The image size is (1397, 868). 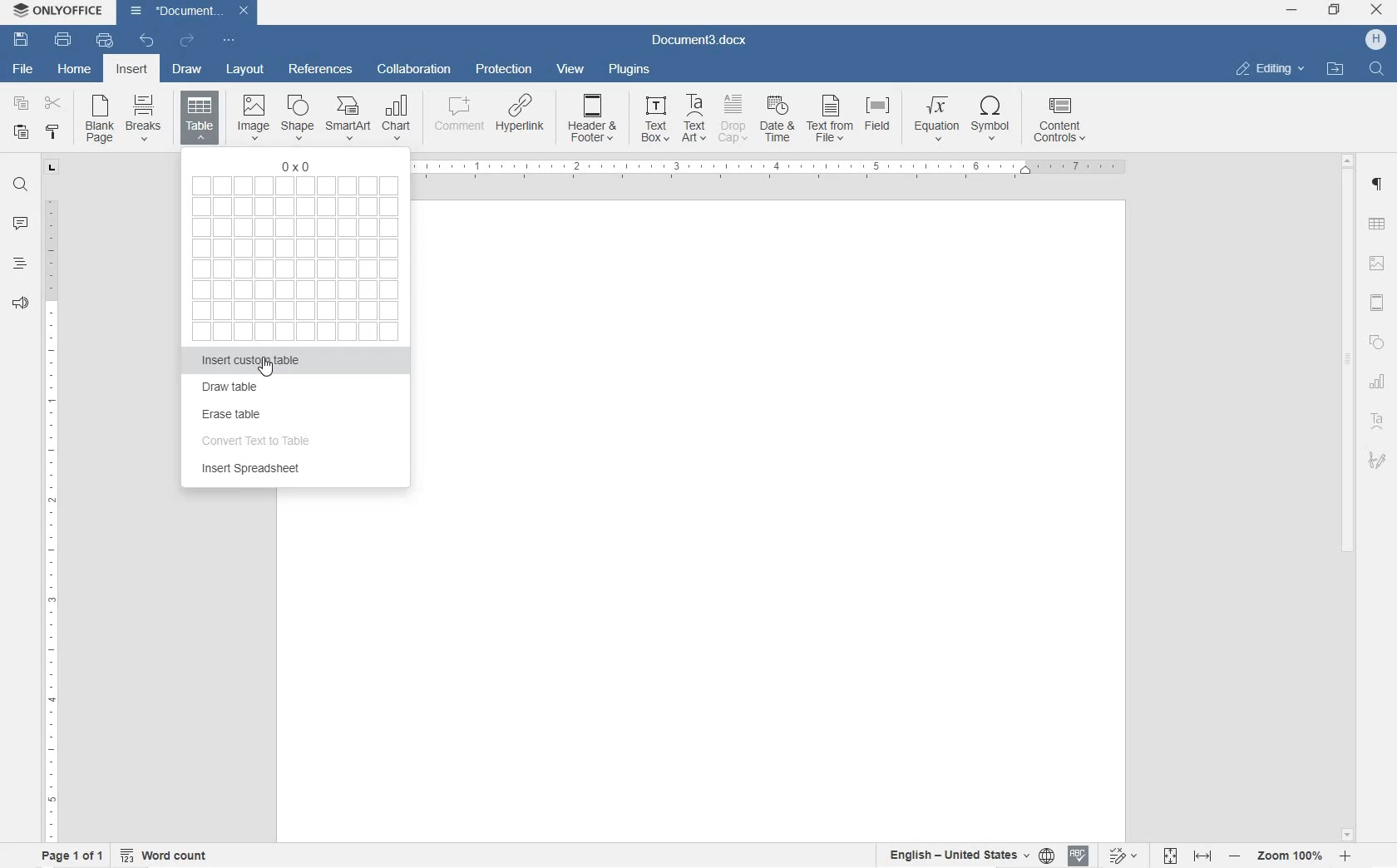 I want to click on TEXT ART, so click(x=1378, y=423).